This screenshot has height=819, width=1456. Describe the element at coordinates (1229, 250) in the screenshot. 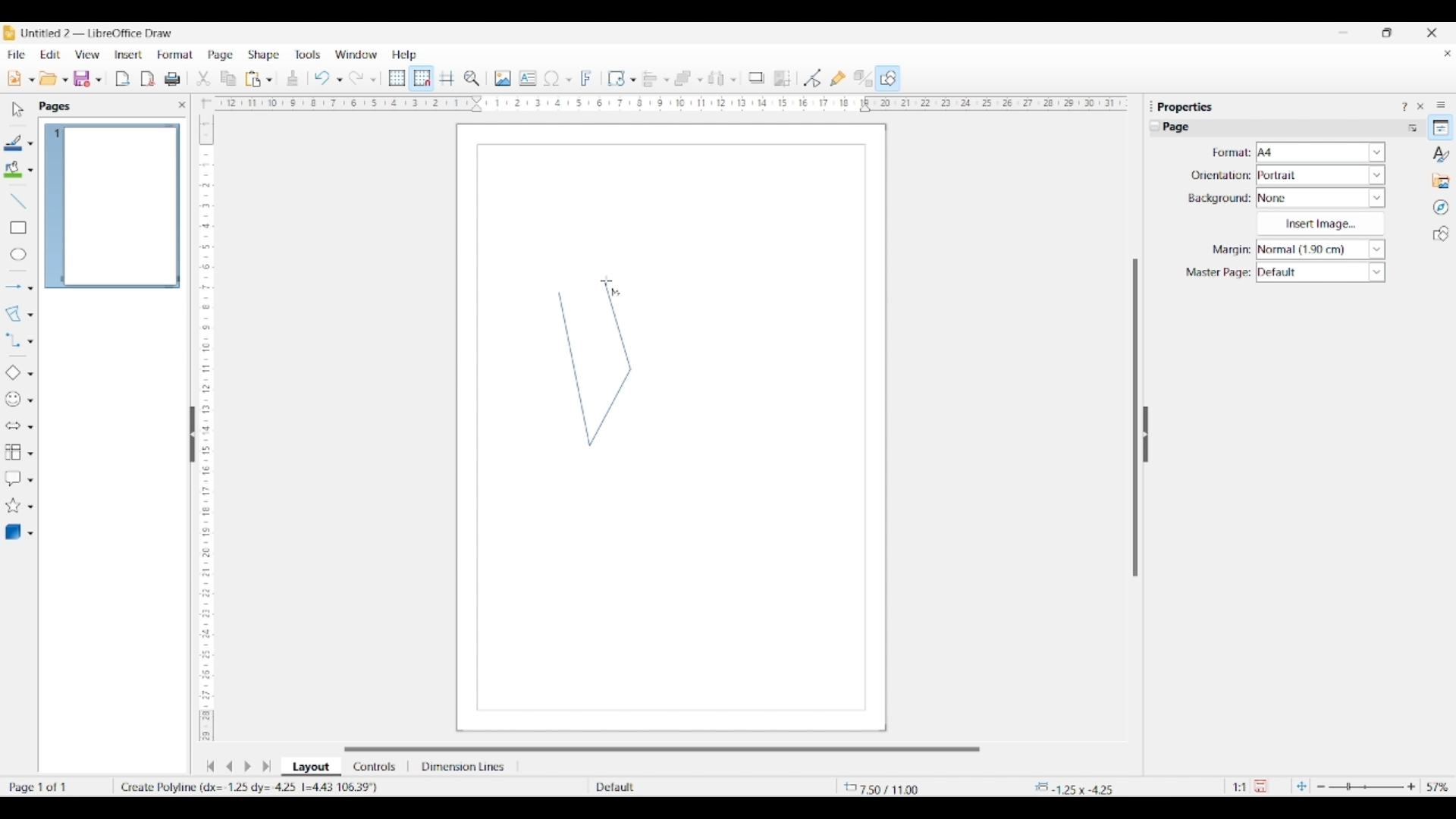

I see `Indicates margin settings` at that location.